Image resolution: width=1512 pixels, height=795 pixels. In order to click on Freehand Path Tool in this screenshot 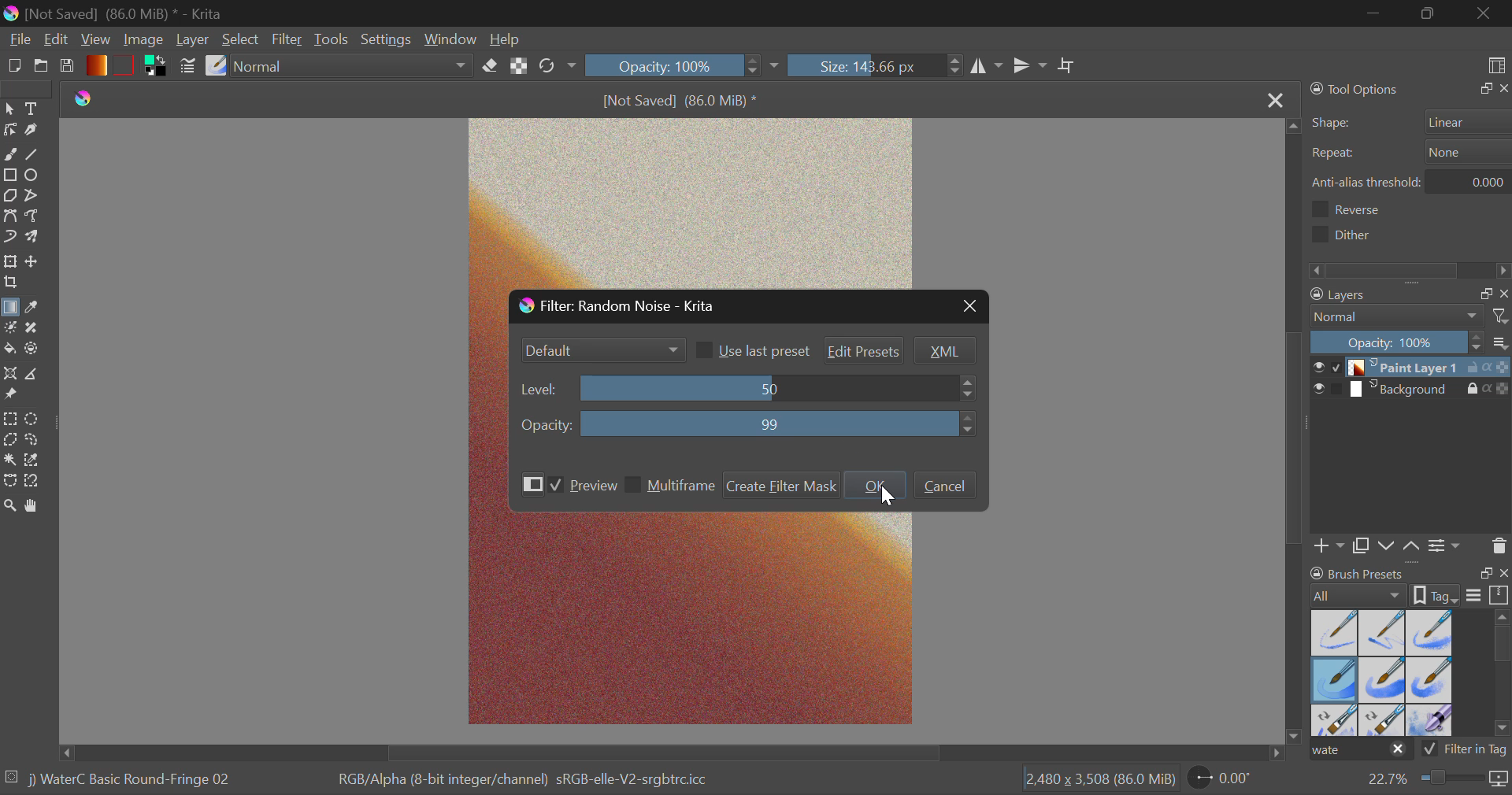, I will do `click(37, 219)`.